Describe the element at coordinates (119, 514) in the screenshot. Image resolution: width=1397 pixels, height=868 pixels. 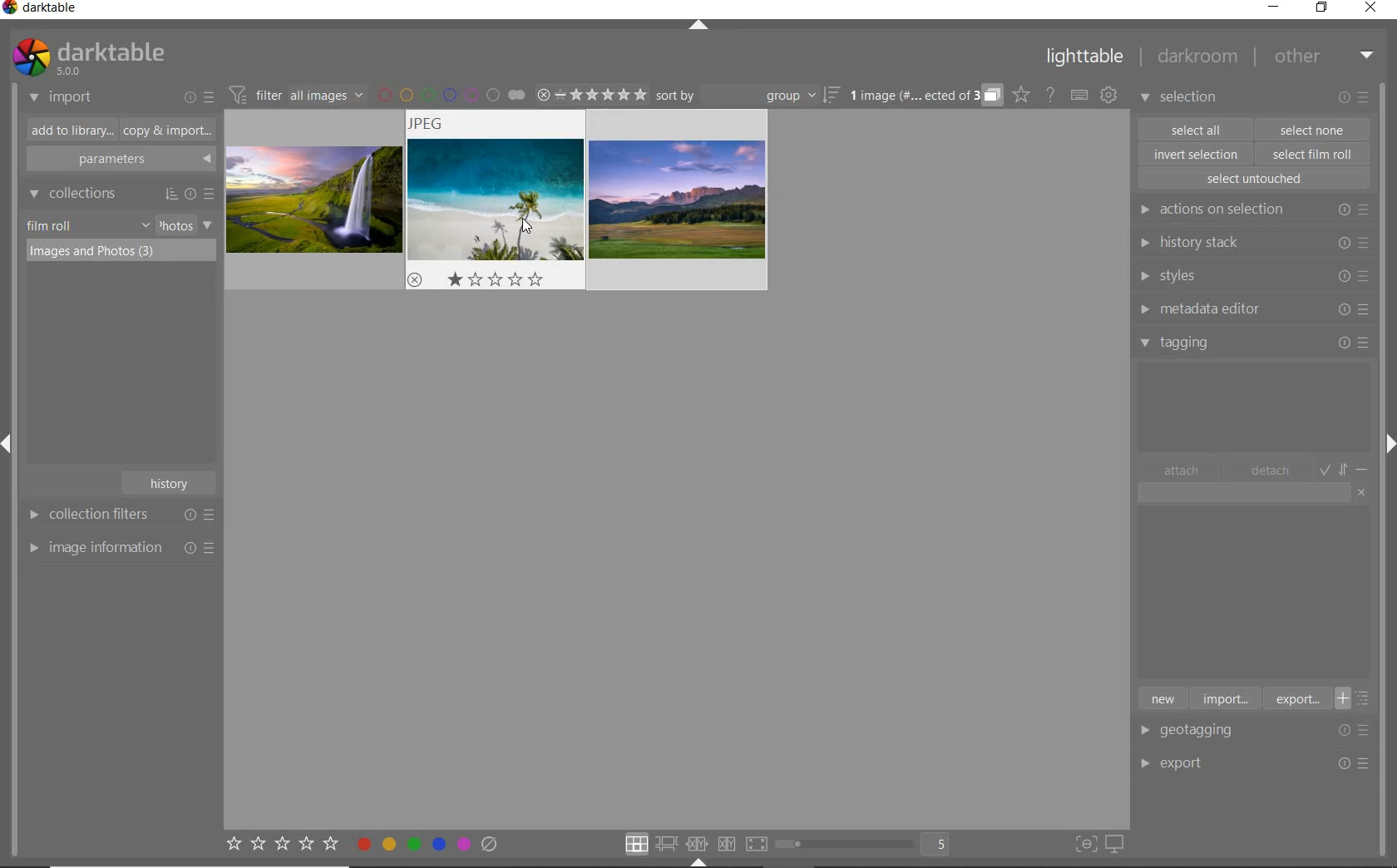
I see `collection filters` at that location.